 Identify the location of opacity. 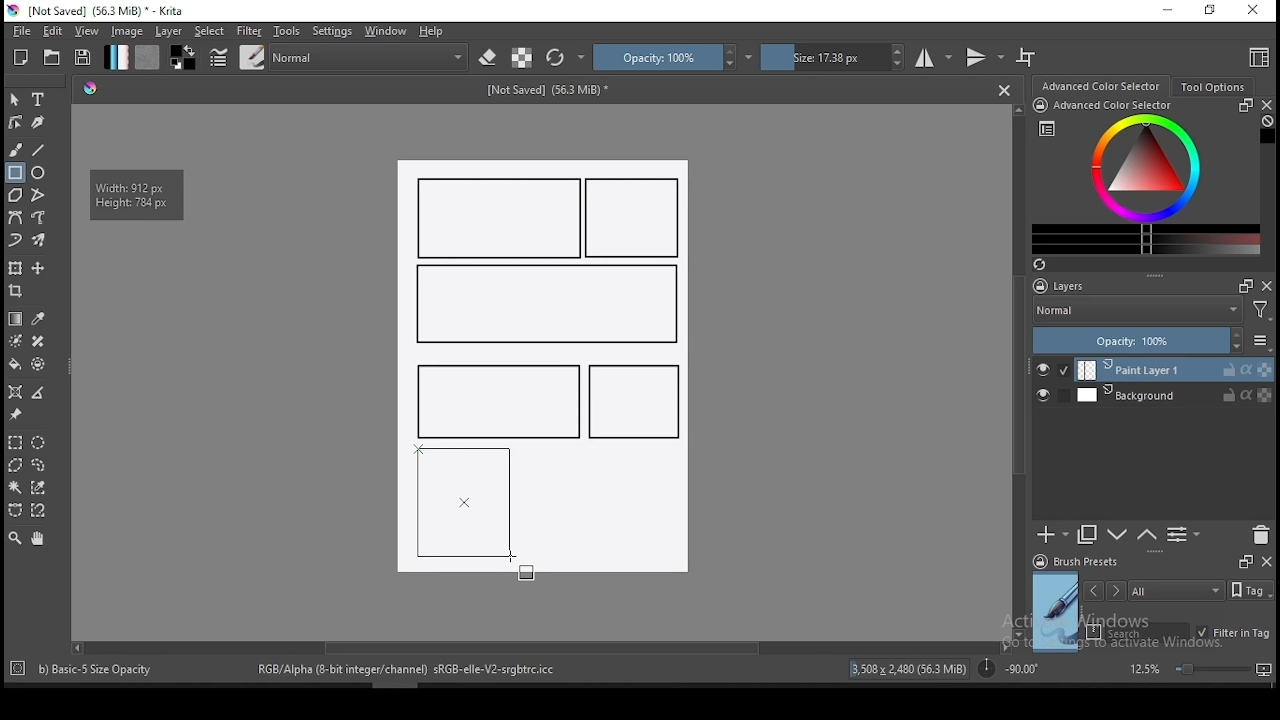
(673, 57).